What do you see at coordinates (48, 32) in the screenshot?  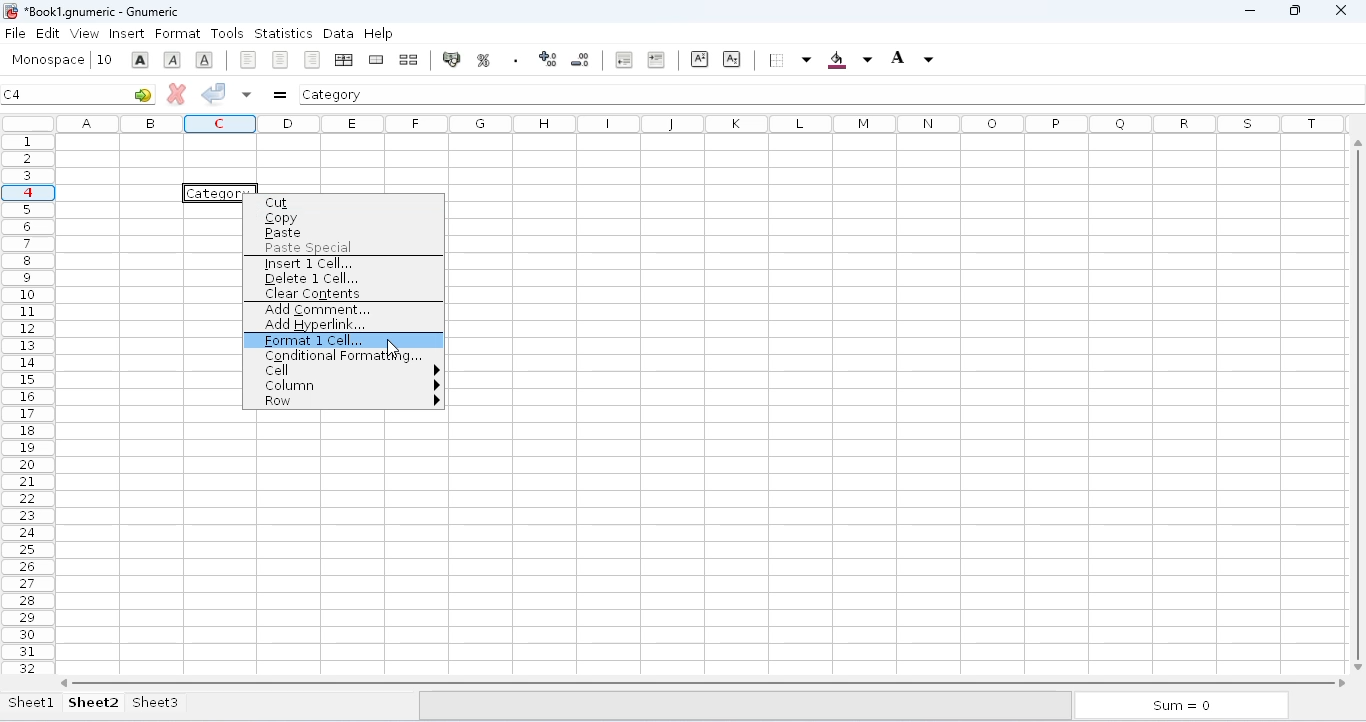 I see `edit` at bounding box center [48, 32].